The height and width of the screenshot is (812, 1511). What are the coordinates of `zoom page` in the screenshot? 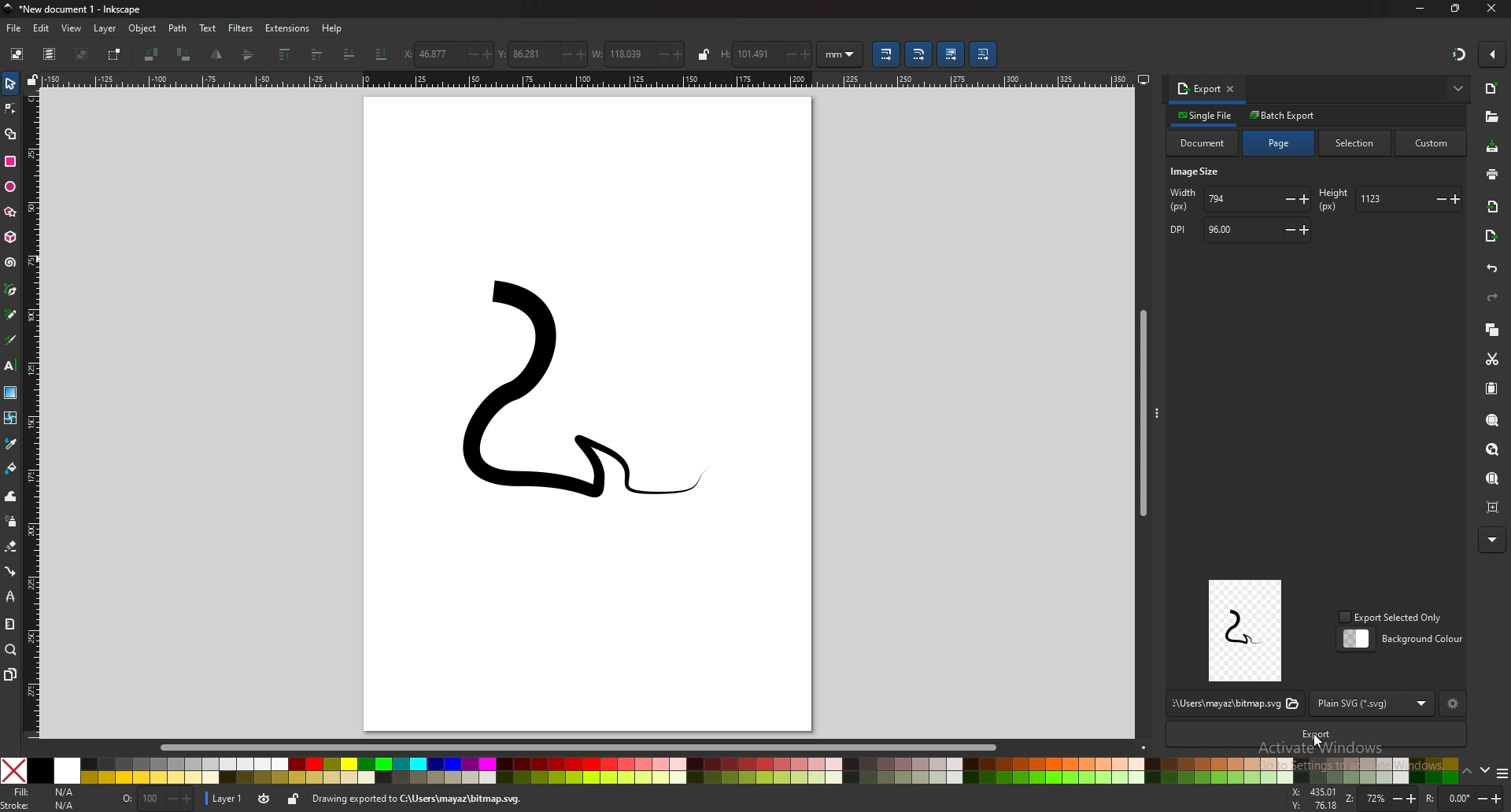 It's located at (1494, 480).